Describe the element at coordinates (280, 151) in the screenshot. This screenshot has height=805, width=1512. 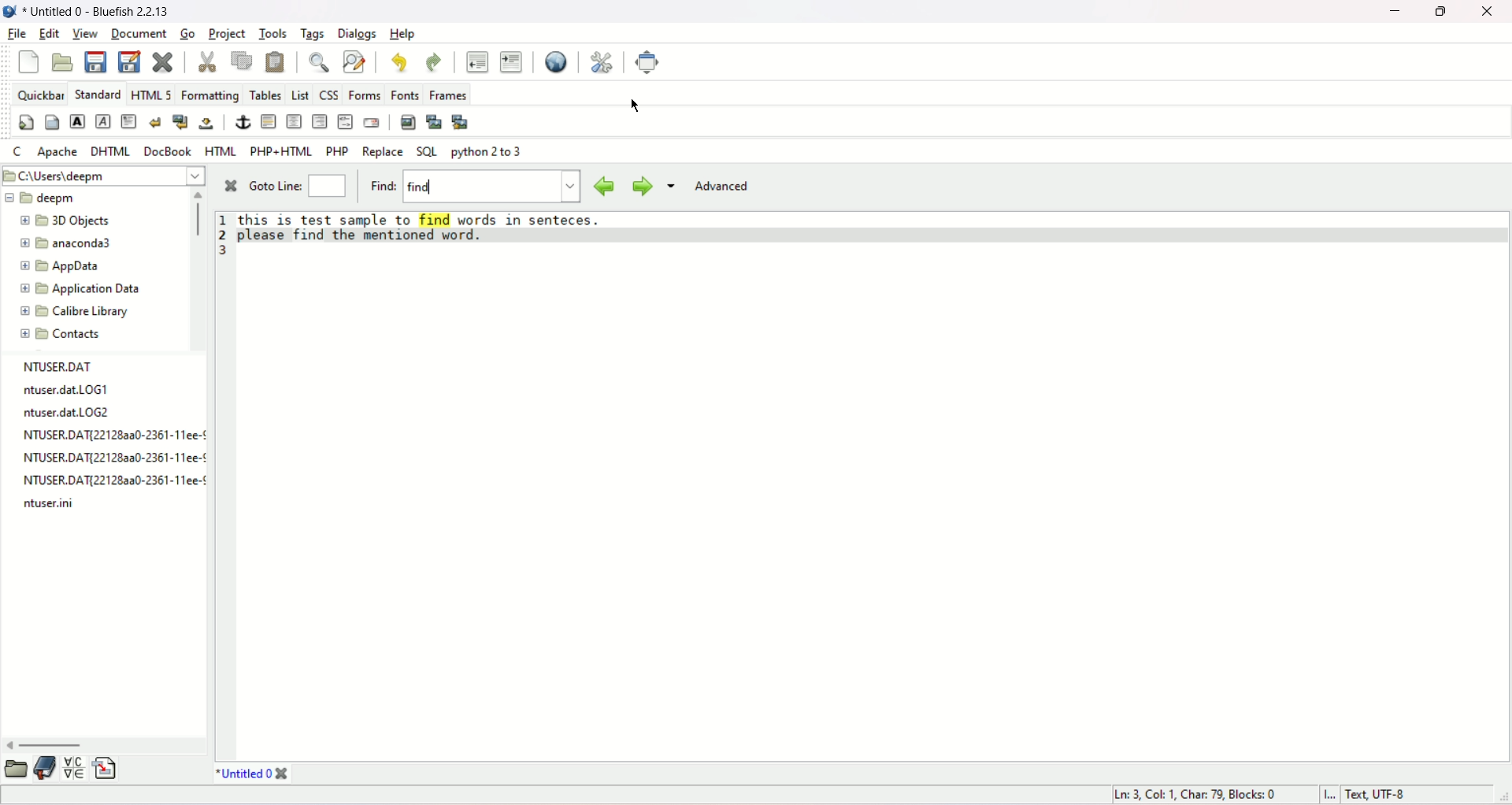
I see `PHP+HTML` at that location.